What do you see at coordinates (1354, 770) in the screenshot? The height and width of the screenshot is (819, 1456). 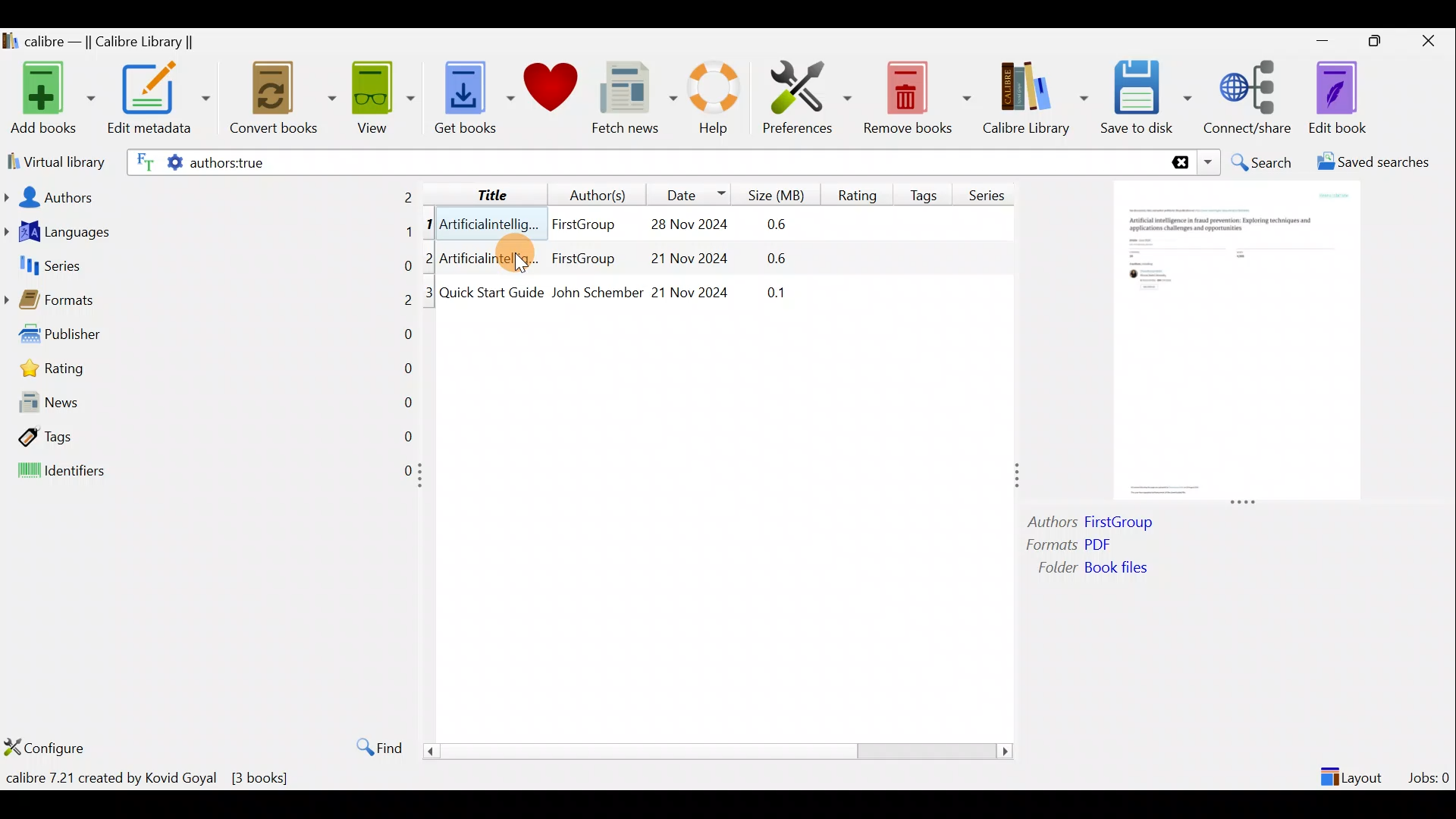 I see `Layout` at bounding box center [1354, 770].